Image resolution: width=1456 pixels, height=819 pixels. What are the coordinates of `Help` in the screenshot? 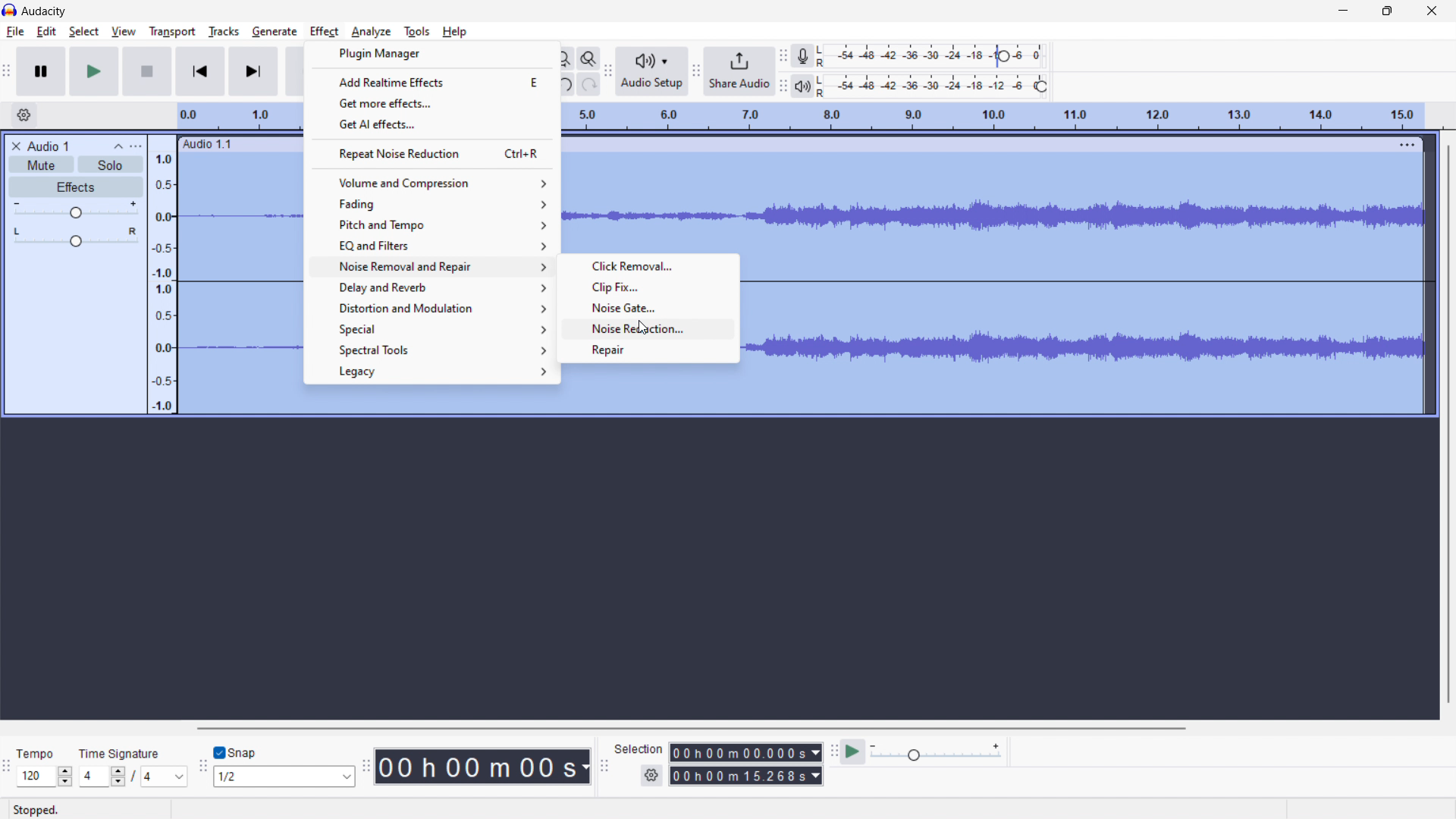 It's located at (457, 31).